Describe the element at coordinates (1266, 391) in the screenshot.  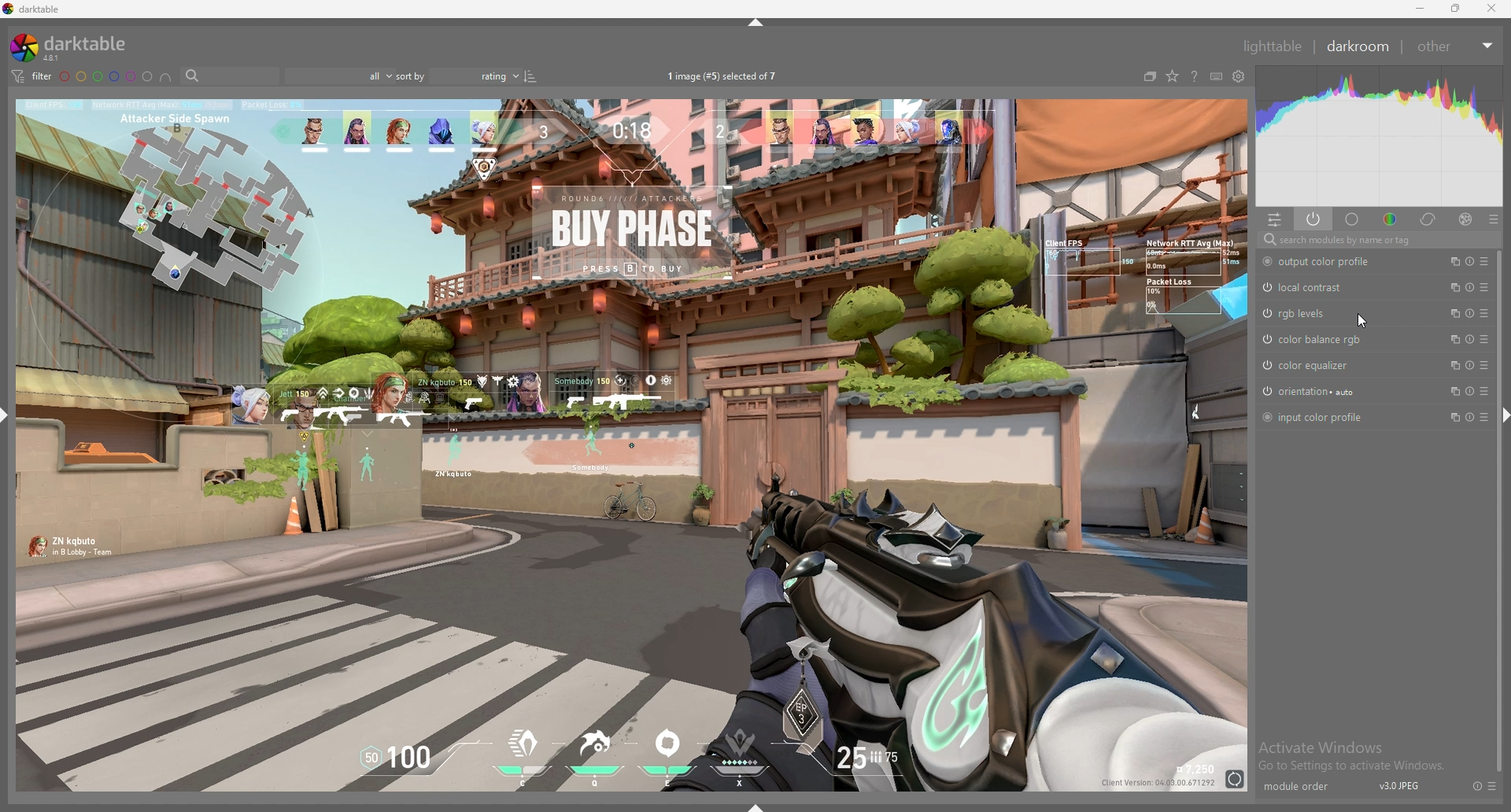
I see `switched on` at that location.